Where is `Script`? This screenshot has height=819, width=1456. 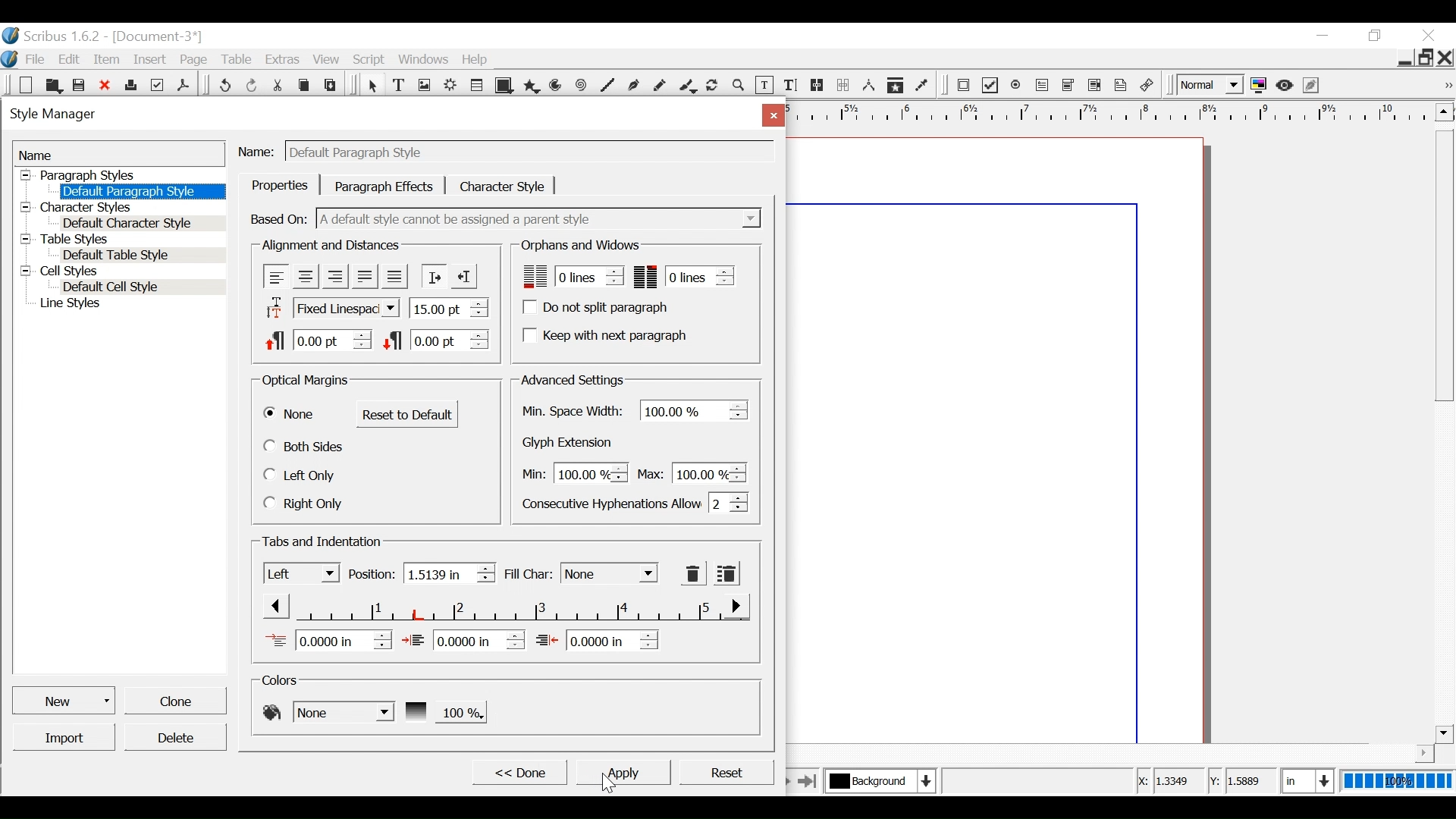 Script is located at coordinates (371, 60).